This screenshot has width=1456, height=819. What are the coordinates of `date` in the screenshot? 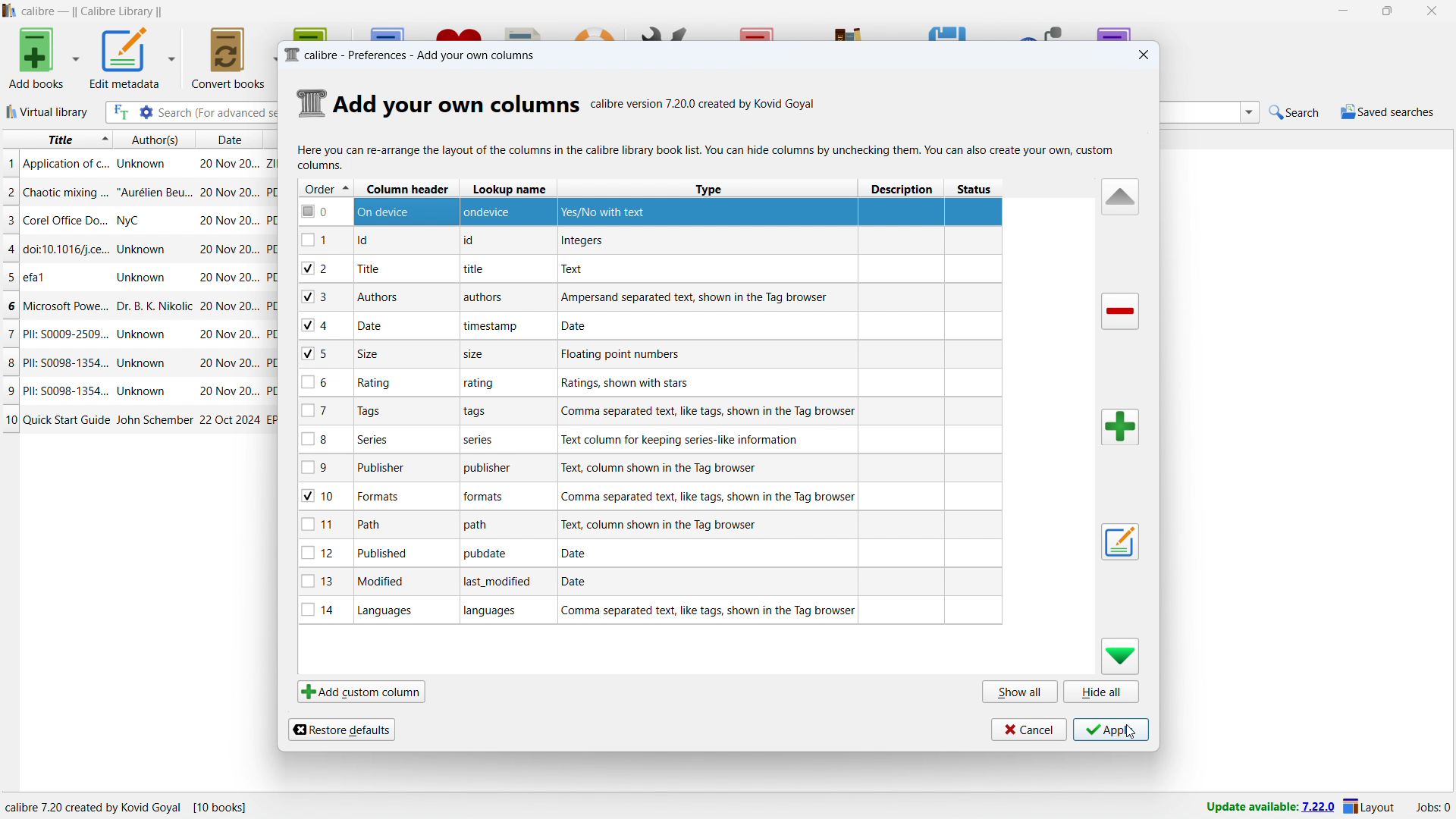 It's located at (230, 308).